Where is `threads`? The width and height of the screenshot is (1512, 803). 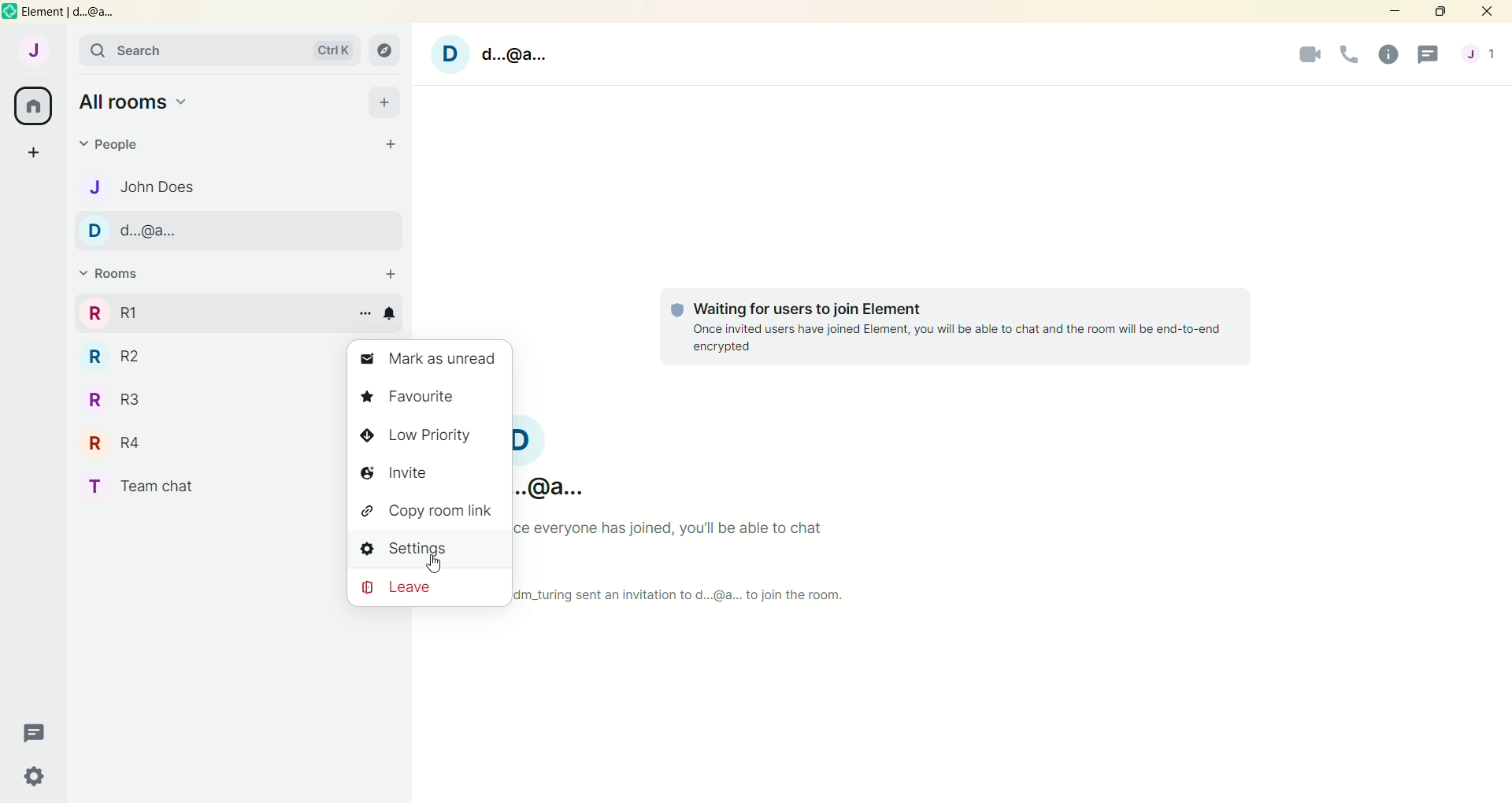 threads is located at coordinates (1425, 56).